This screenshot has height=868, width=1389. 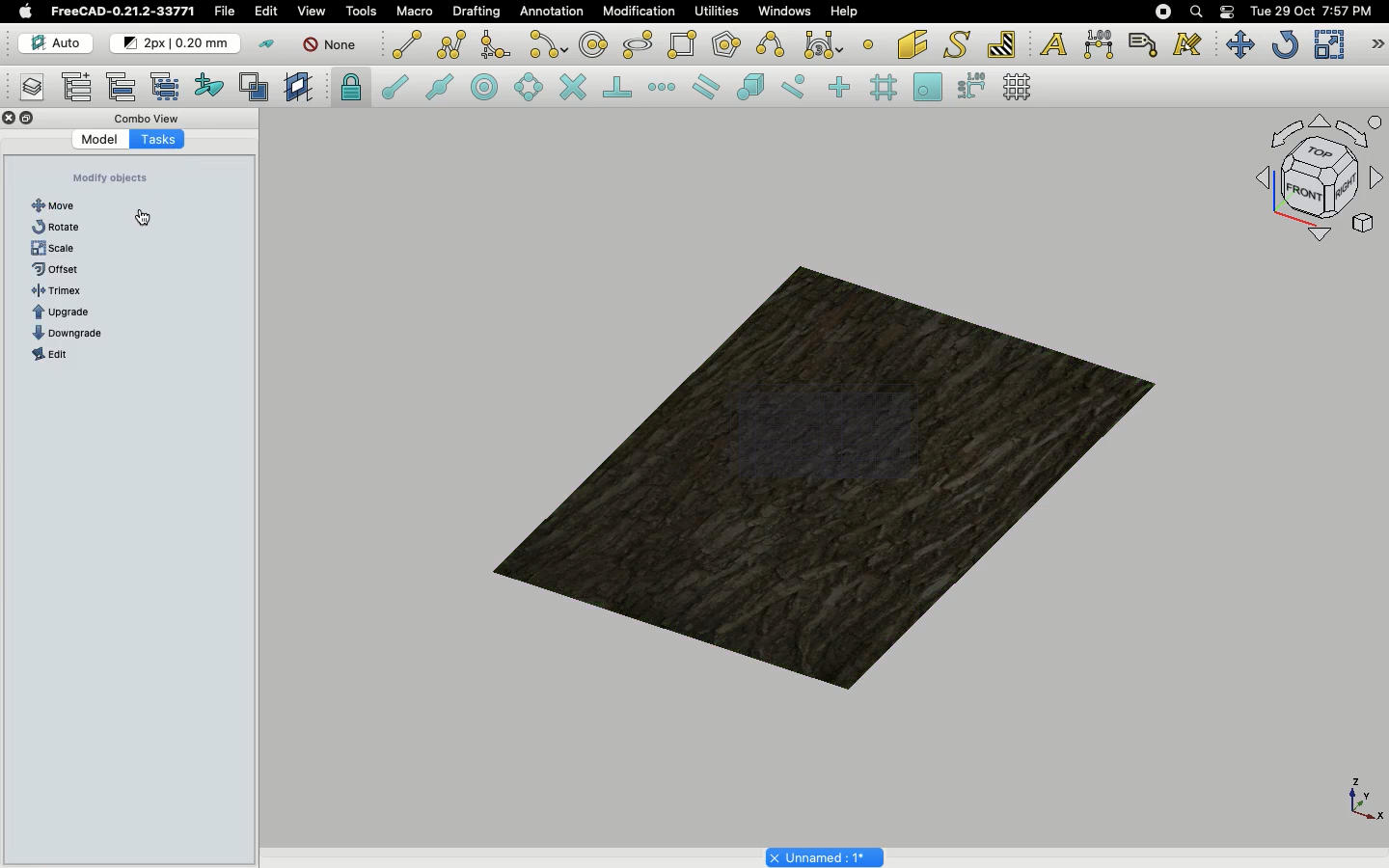 What do you see at coordinates (1053, 45) in the screenshot?
I see `Text` at bounding box center [1053, 45].